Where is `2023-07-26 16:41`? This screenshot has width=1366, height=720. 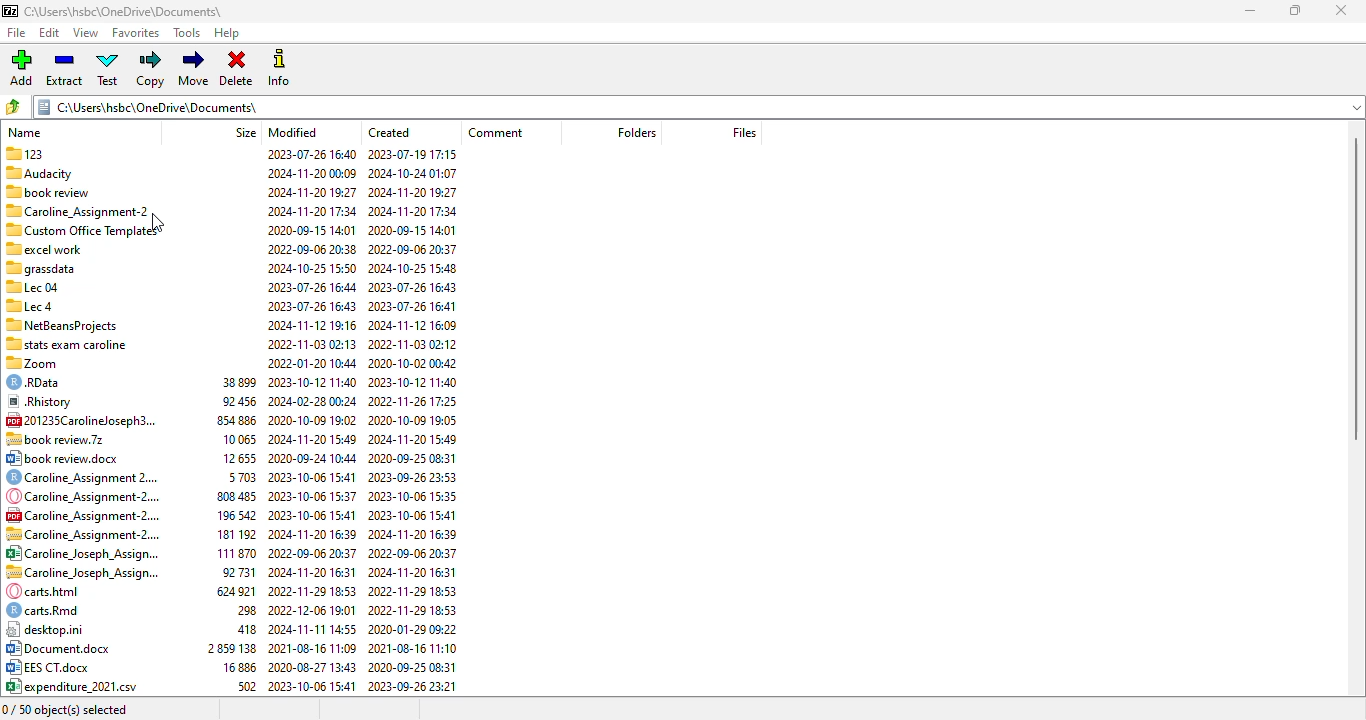 2023-07-26 16:41 is located at coordinates (410, 307).